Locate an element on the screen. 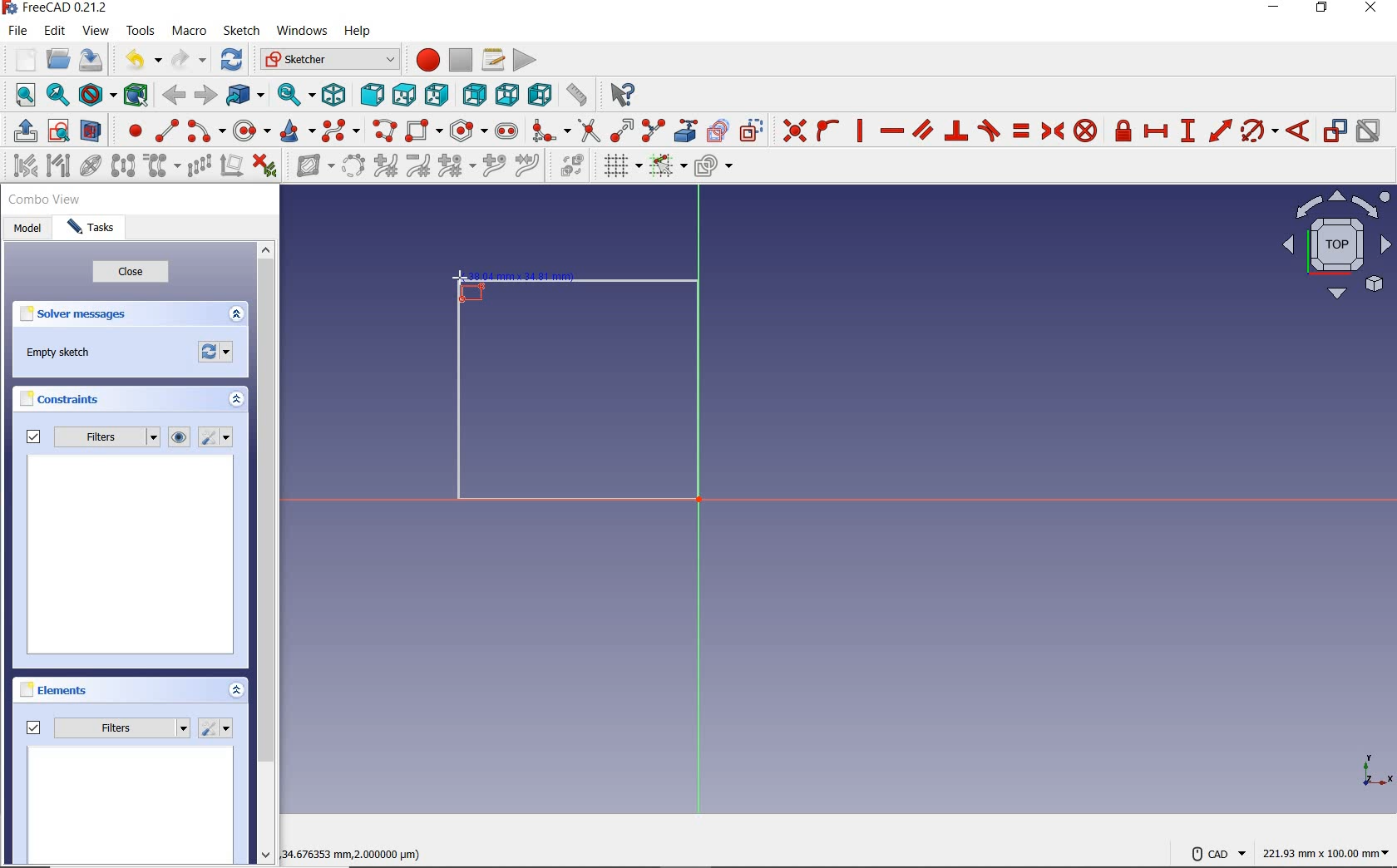  bottom is located at coordinates (506, 94).